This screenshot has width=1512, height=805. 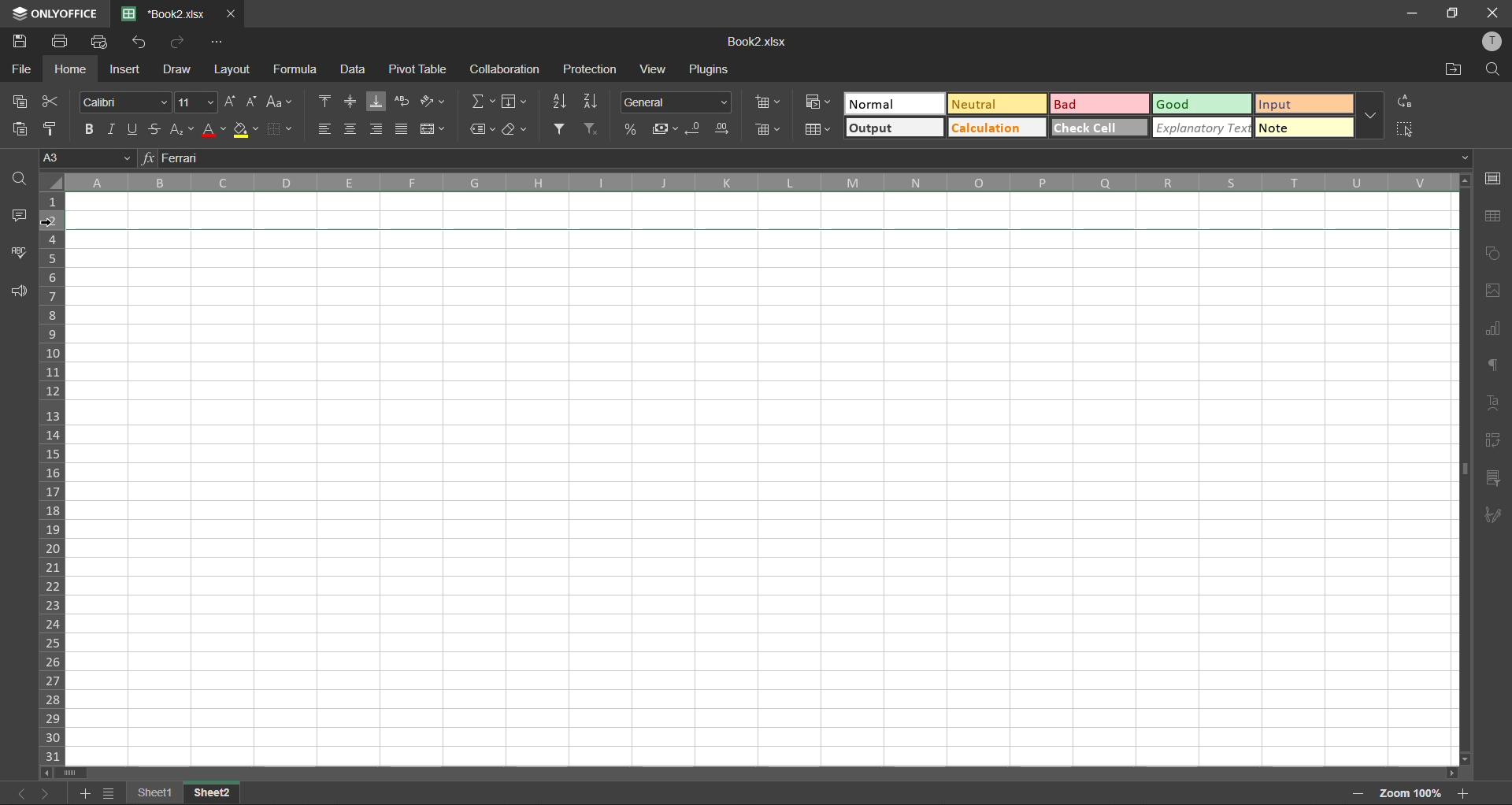 What do you see at coordinates (20, 293) in the screenshot?
I see `feedback` at bounding box center [20, 293].